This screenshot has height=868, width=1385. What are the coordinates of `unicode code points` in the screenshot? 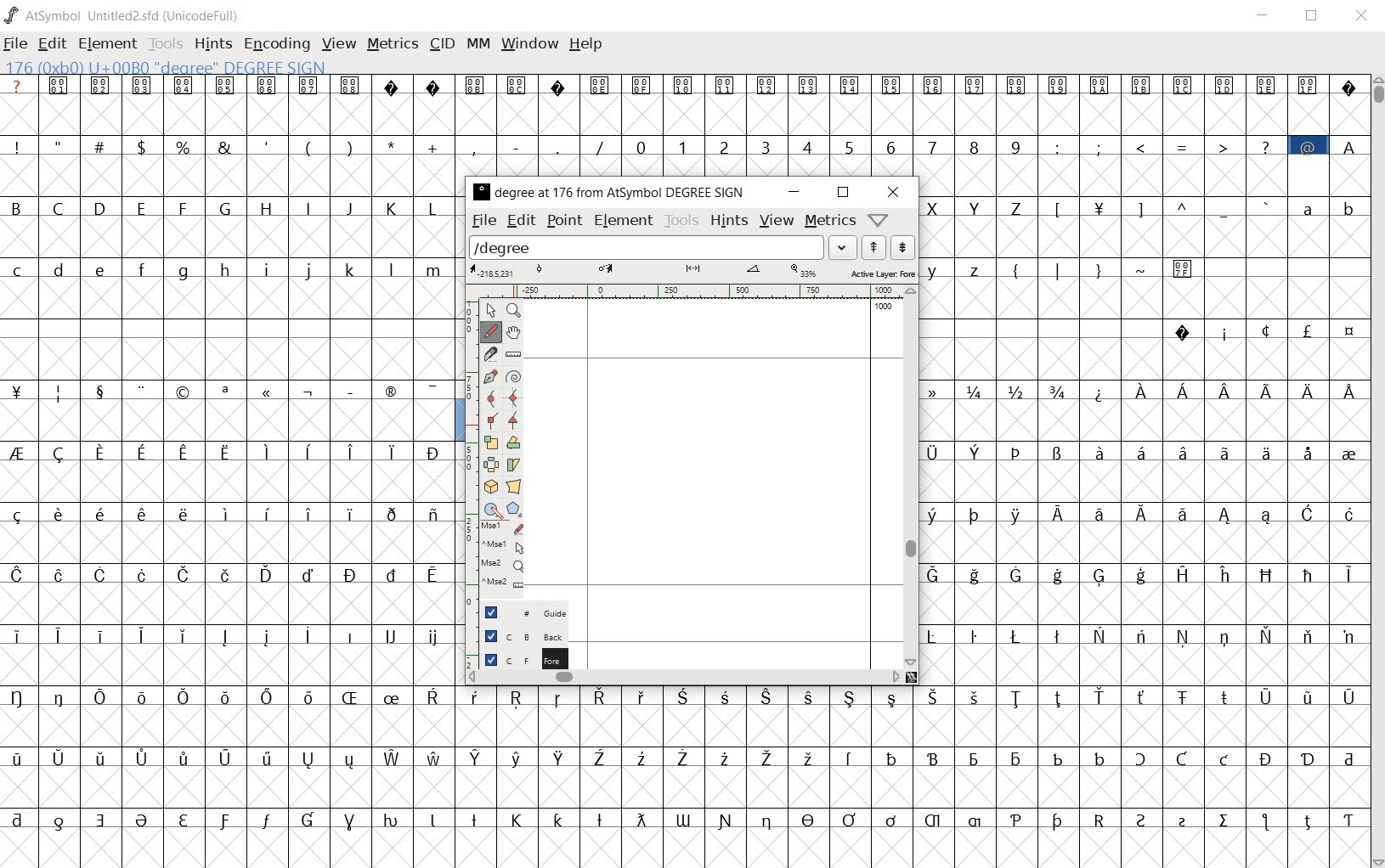 It's located at (499, 84).